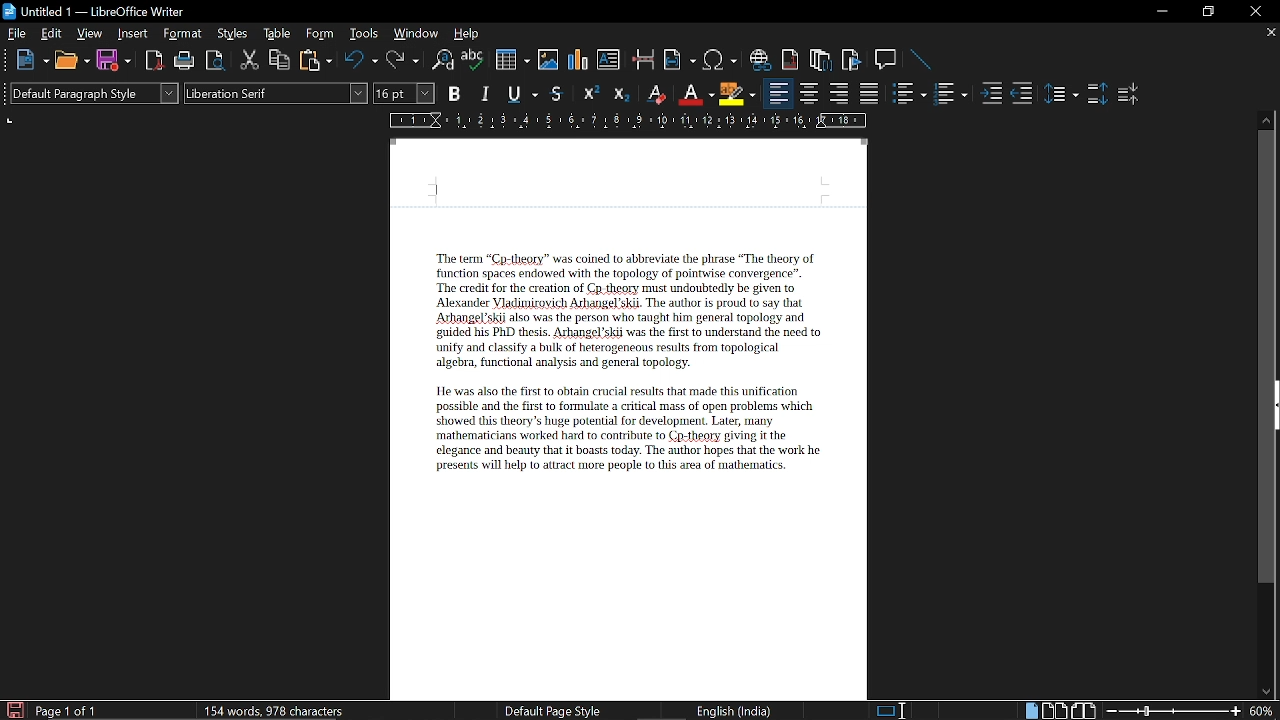 The image size is (1280, 720). What do you see at coordinates (918, 61) in the screenshot?
I see `Line` at bounding box center [918, 61].